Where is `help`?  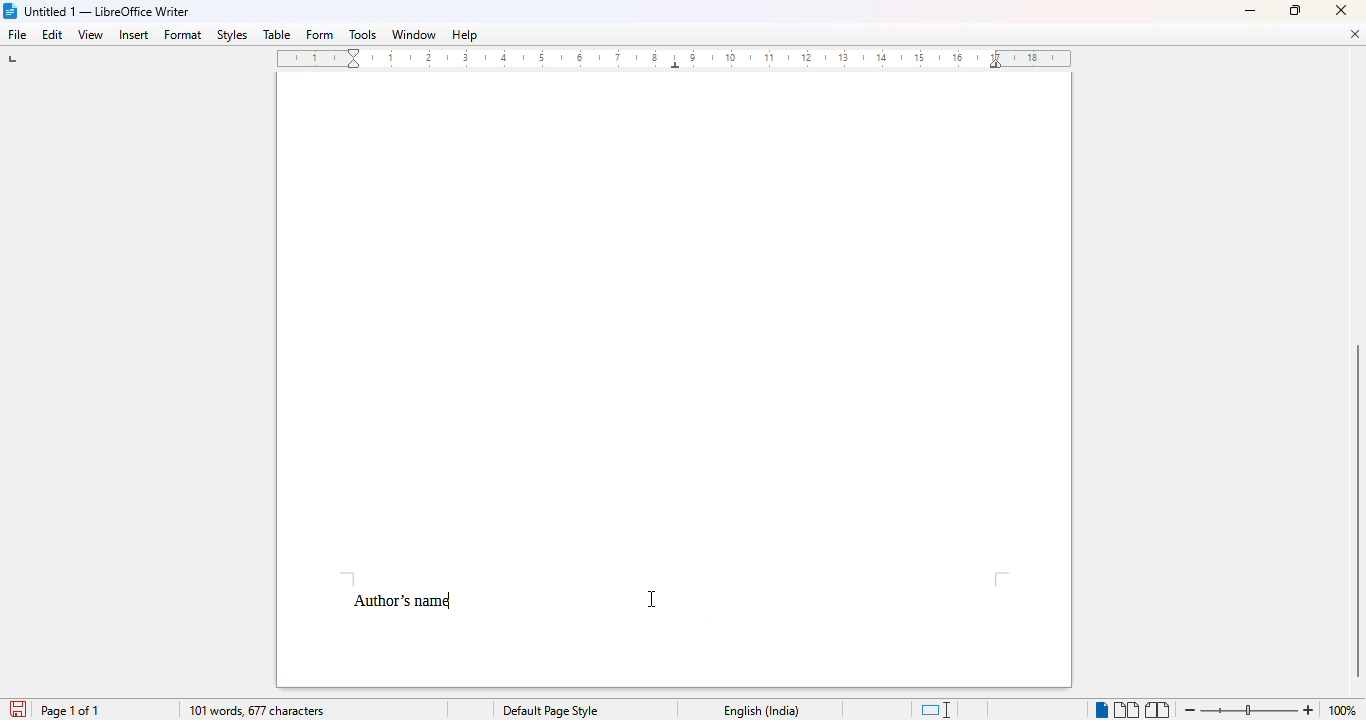
help is located at coordinates (464, 35).